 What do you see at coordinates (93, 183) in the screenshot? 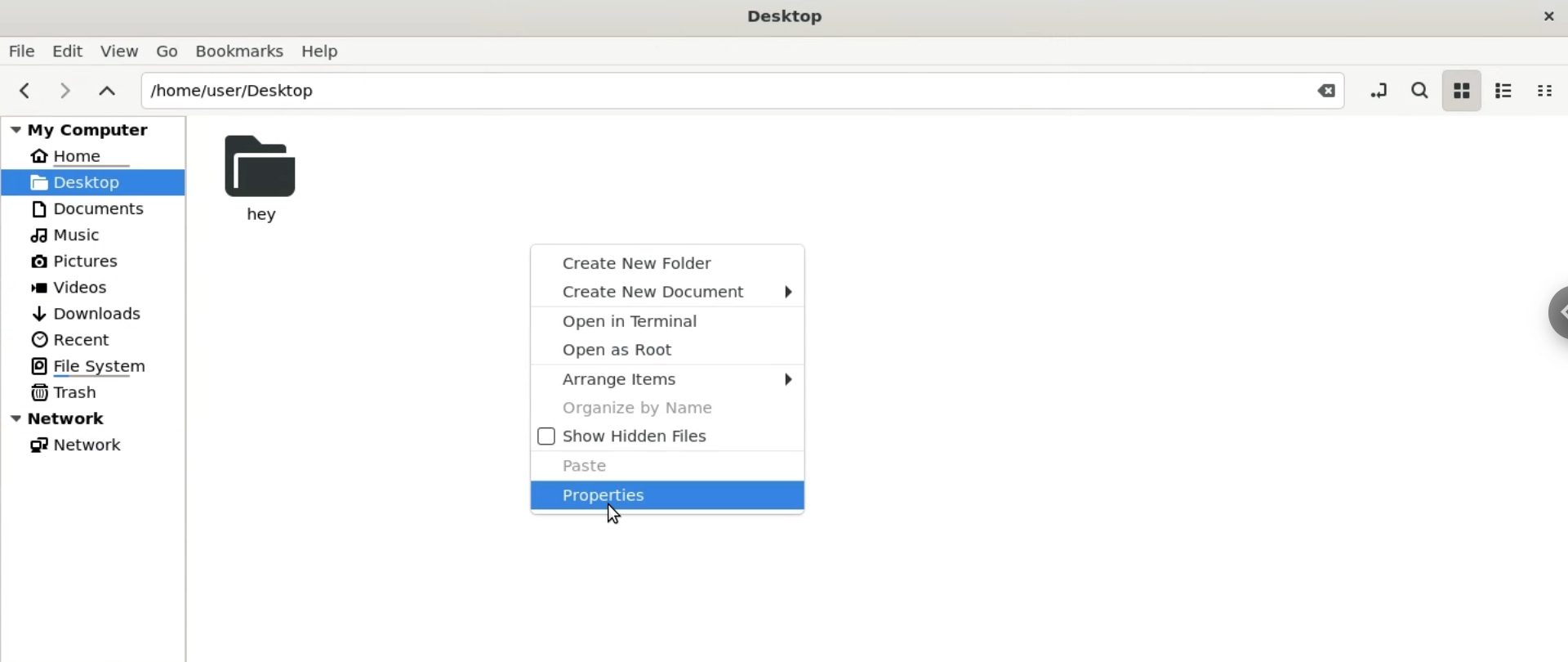
I see `desktop` at bounding box center [93, 183].